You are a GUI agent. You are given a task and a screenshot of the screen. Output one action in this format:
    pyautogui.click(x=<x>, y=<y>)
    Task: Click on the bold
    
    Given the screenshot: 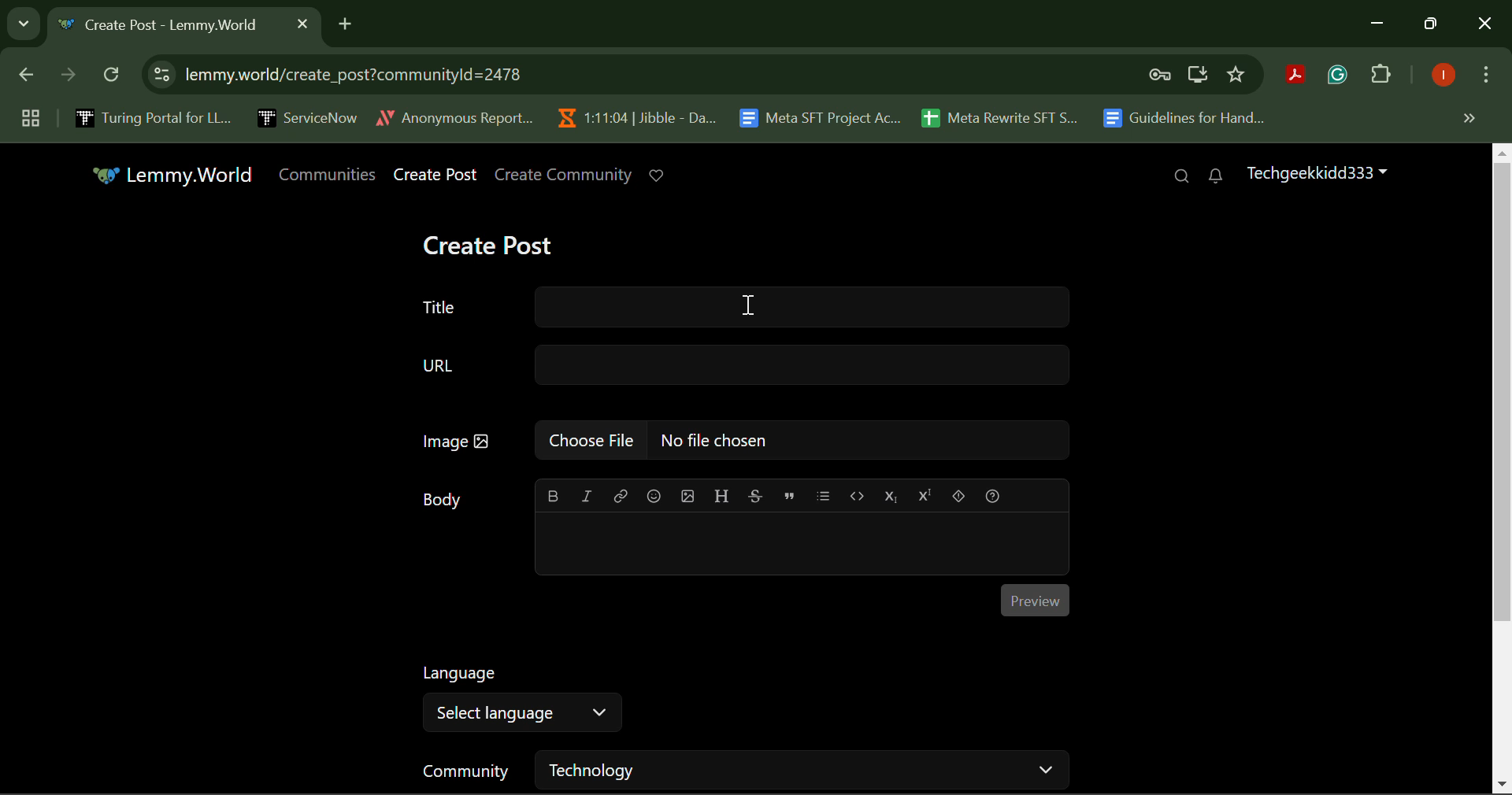 What is the action you would take?
    pyautogui.click(x=553, y=496)
    